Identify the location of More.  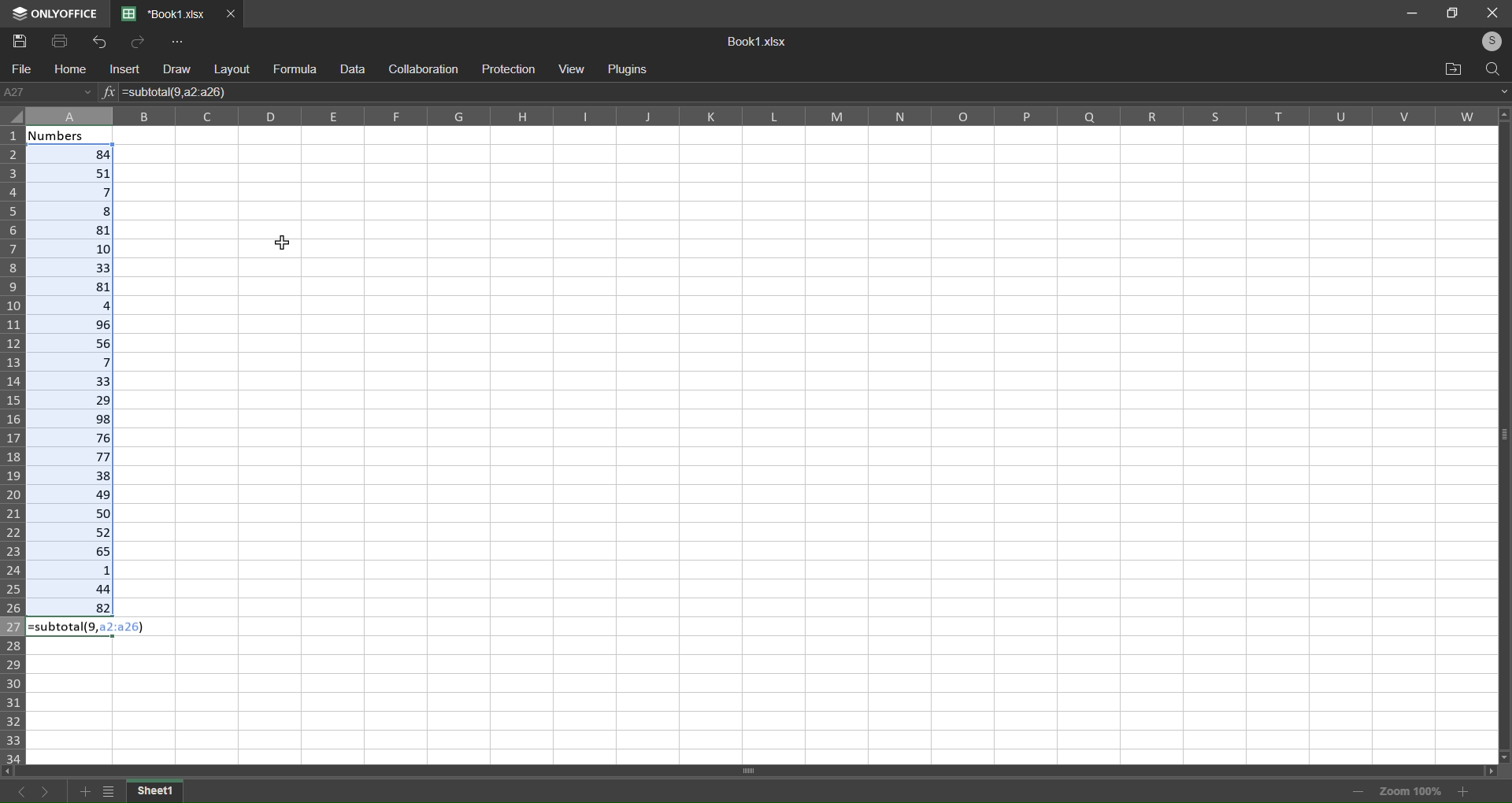
(180, 43).